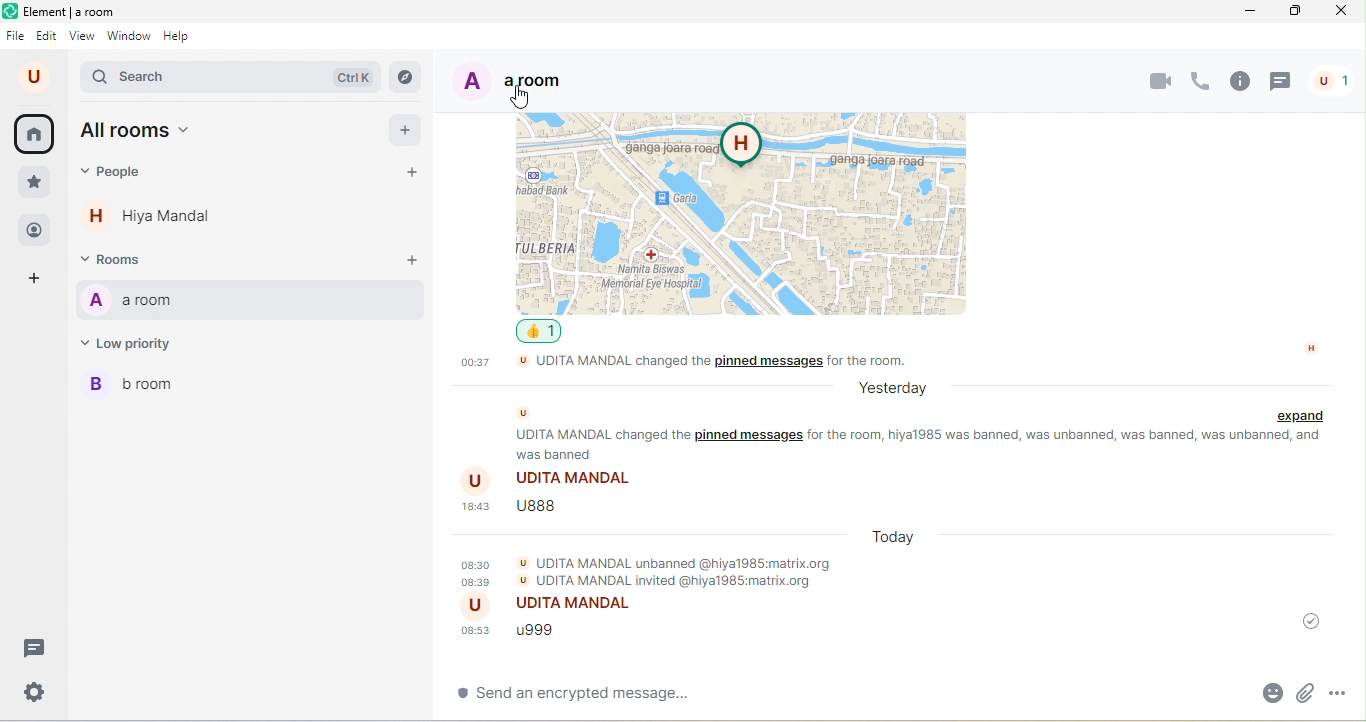  Describe the element at coordinates (1286, 78) in the screenshot. I see `threads` at that location.